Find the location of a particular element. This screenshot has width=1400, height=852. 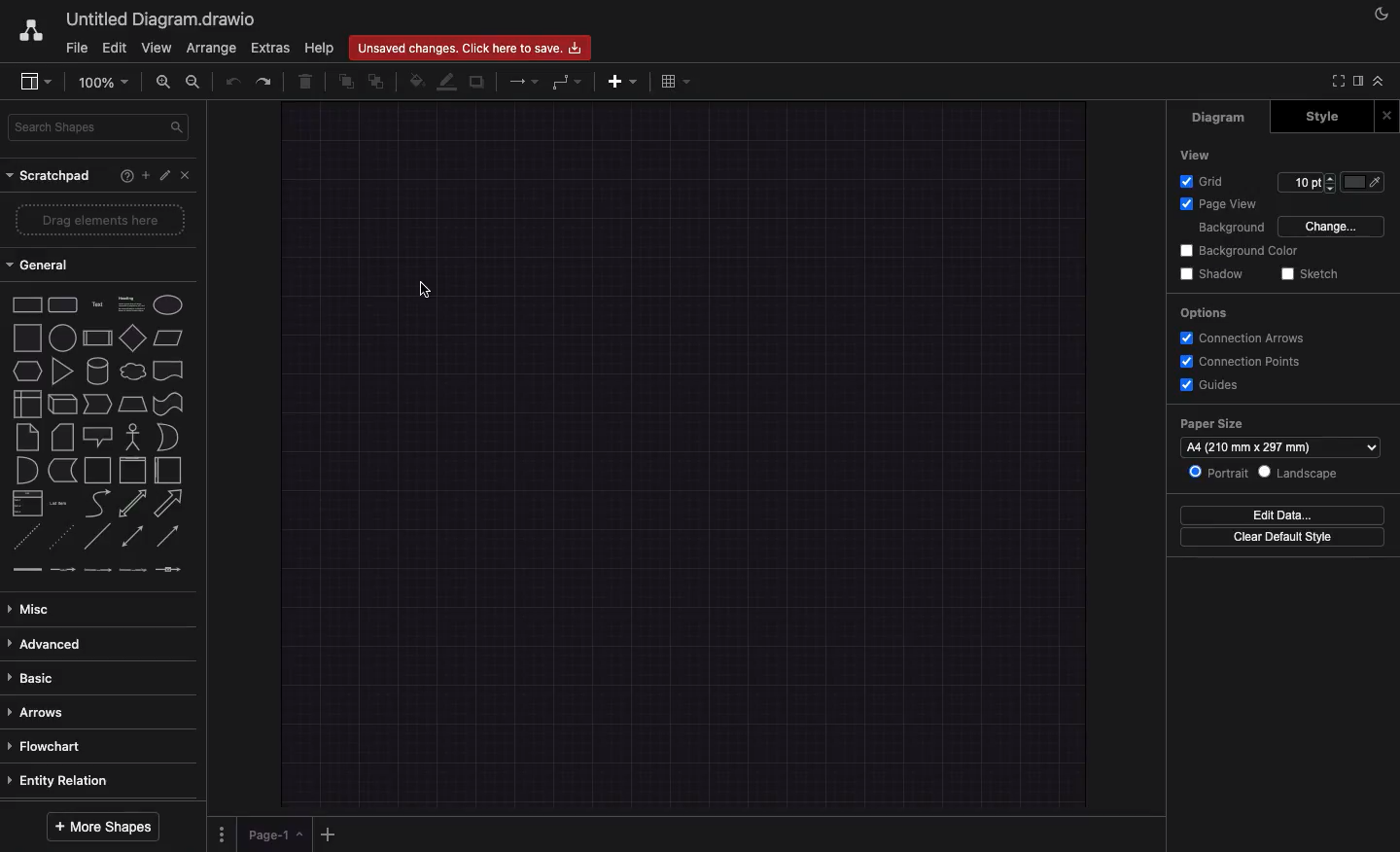

Waypoint is located at coordinates (566, 83).